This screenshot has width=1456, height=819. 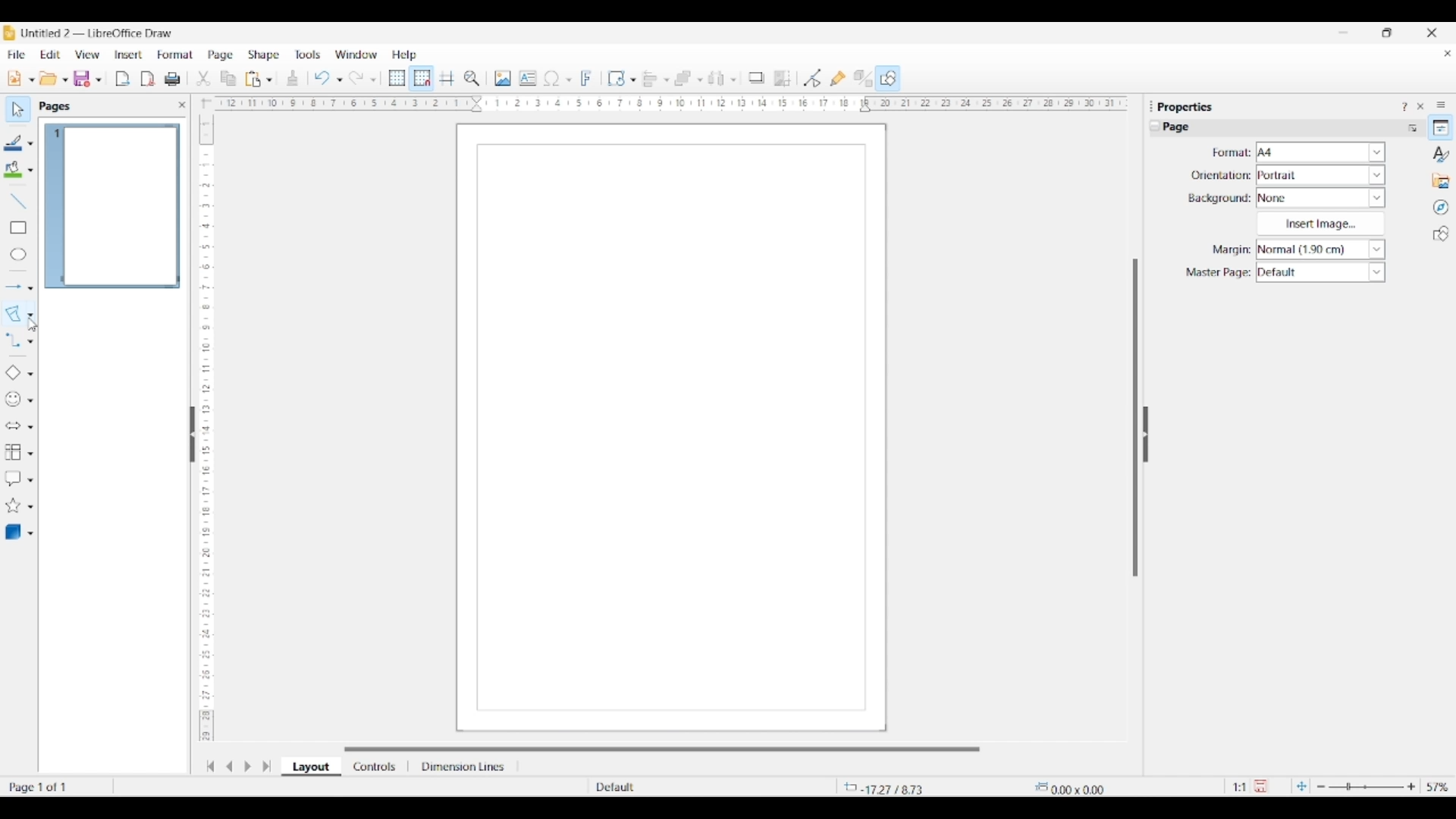 I want to click on Selected special character, so click(x=554, y=78).